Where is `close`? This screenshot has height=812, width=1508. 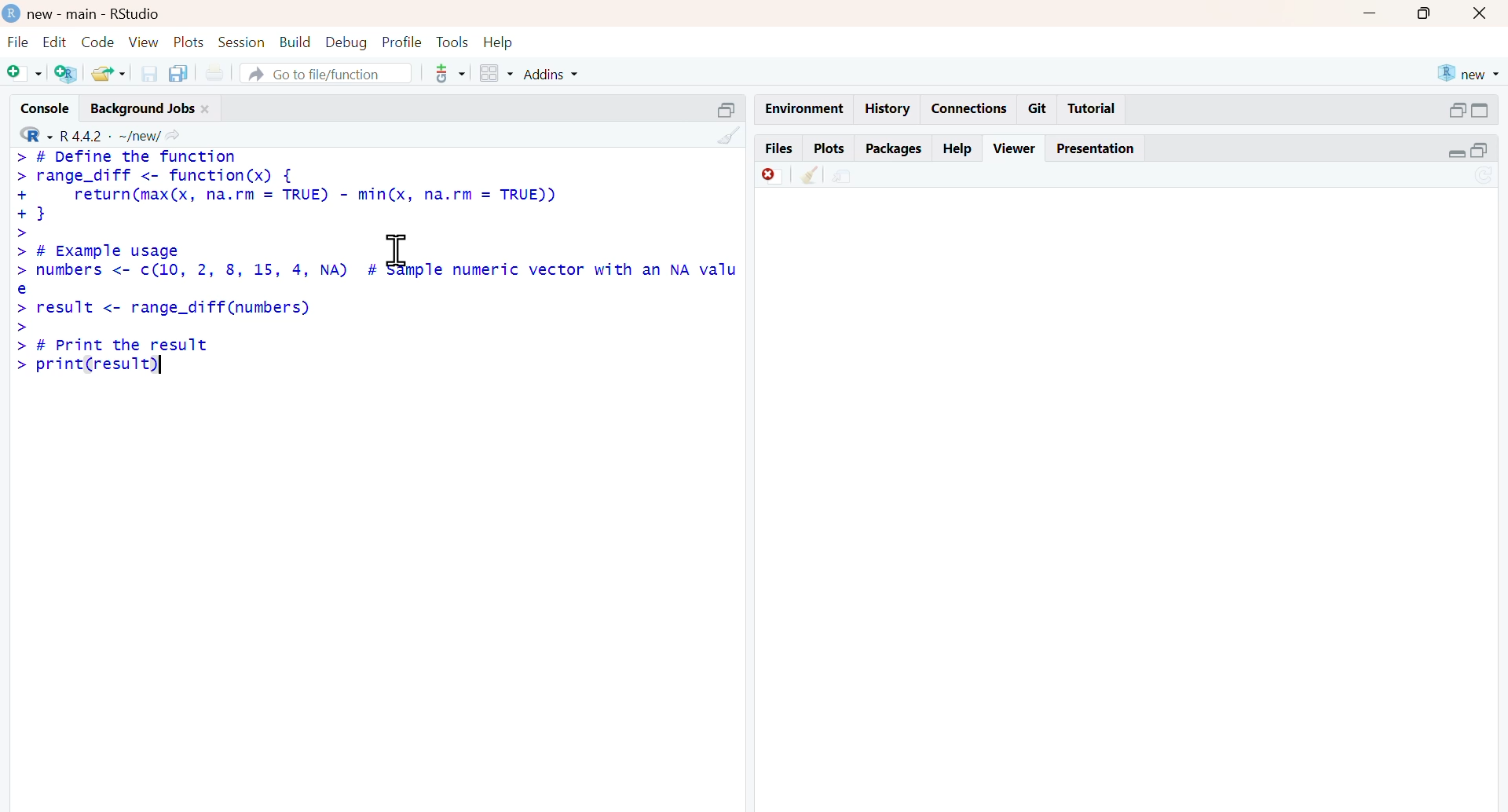 close is located at coordinates (207, 110).